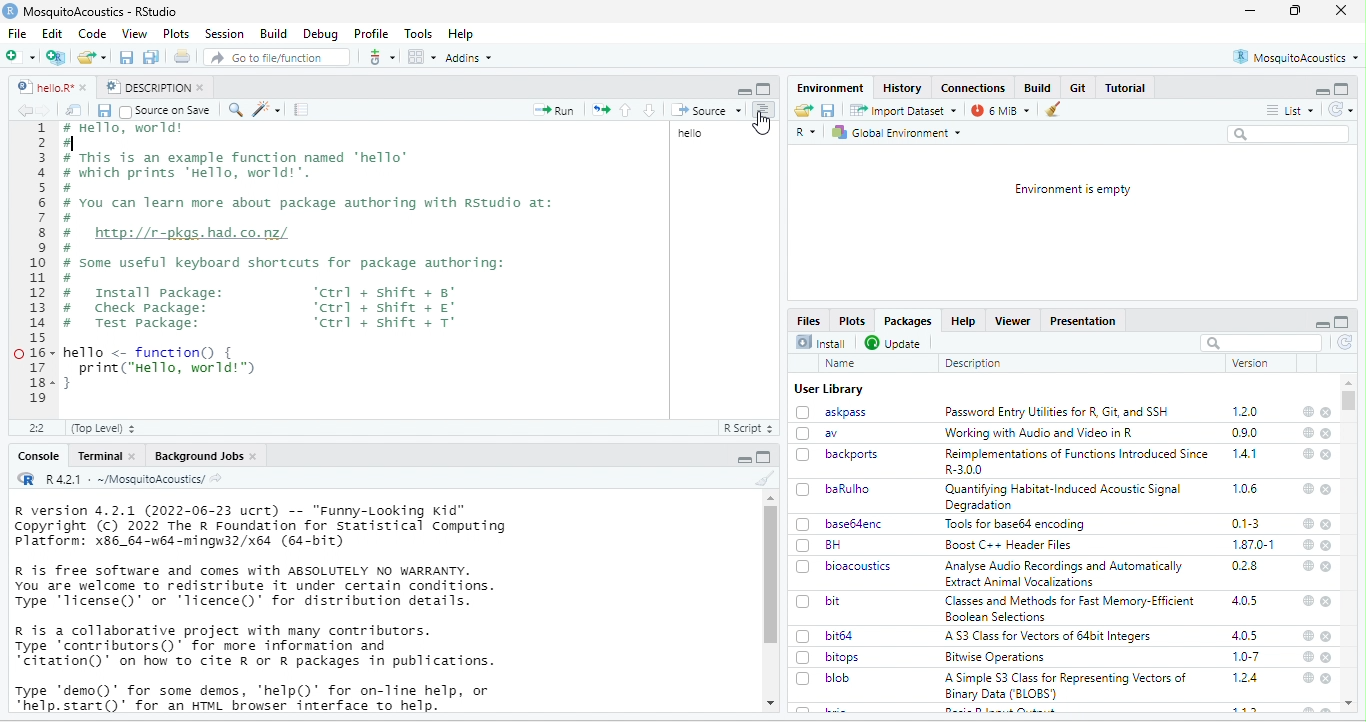  Describe the element at coordinates (1246, 411) in the screenshot. I see `1.2.0` at that location.